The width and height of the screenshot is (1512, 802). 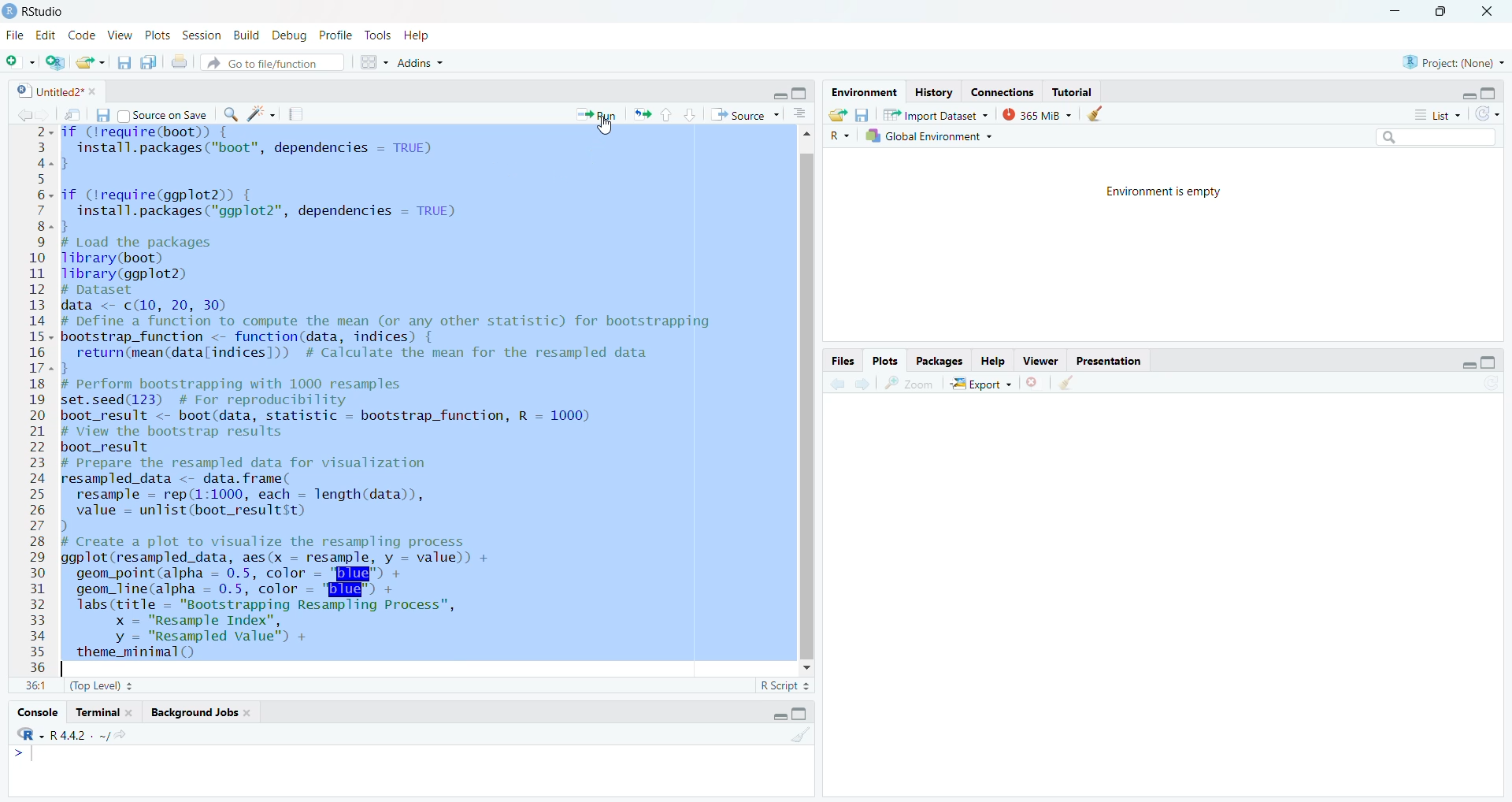 I want to click on 1:1, so click(x=36, y=685).